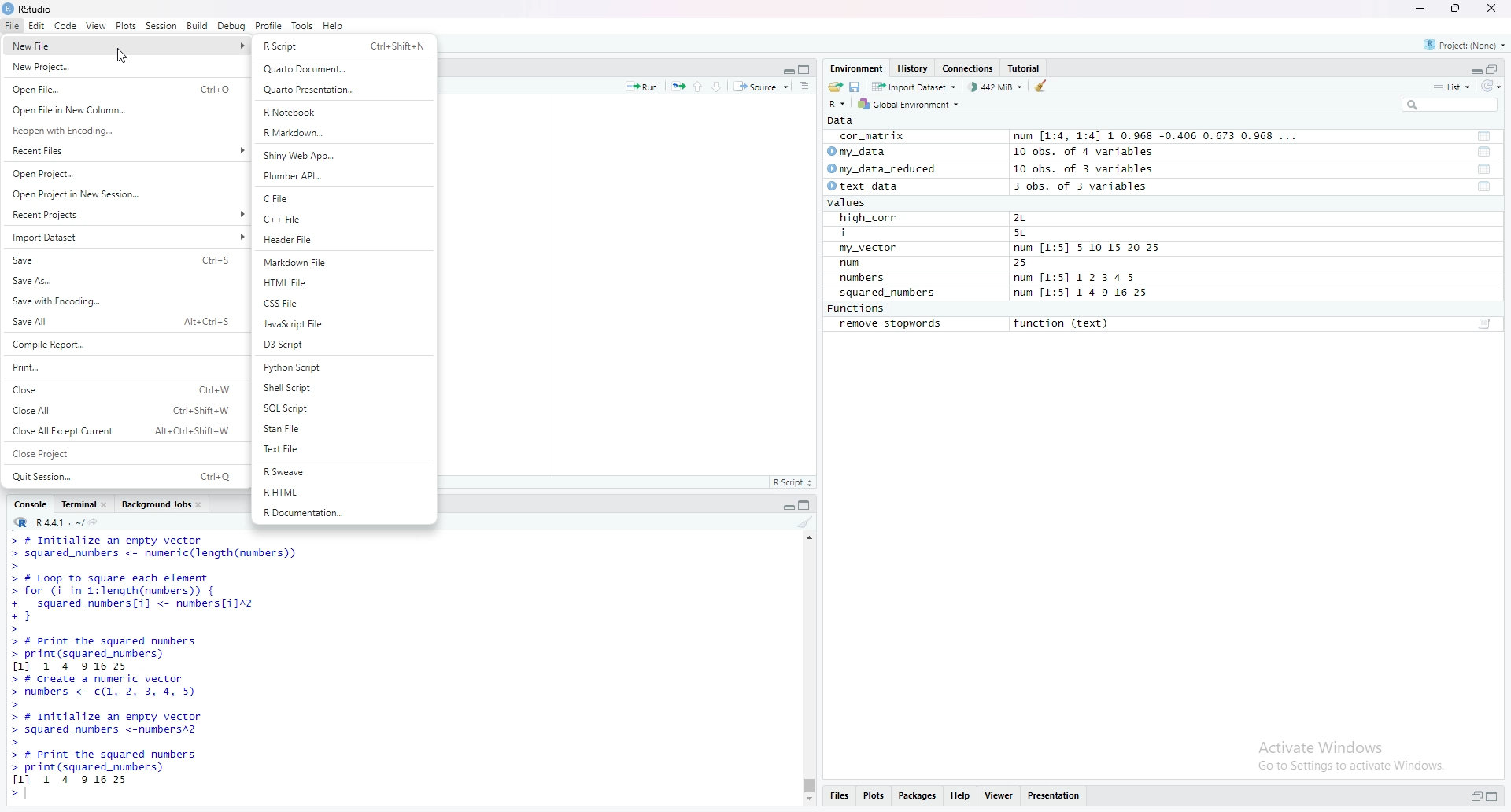 Image resolution: width=1511 pixels, height=812 pixels. What do you see at coordinates (338, 240) in the screenshot?
I see `Header File` at bounding box center [338, 240].